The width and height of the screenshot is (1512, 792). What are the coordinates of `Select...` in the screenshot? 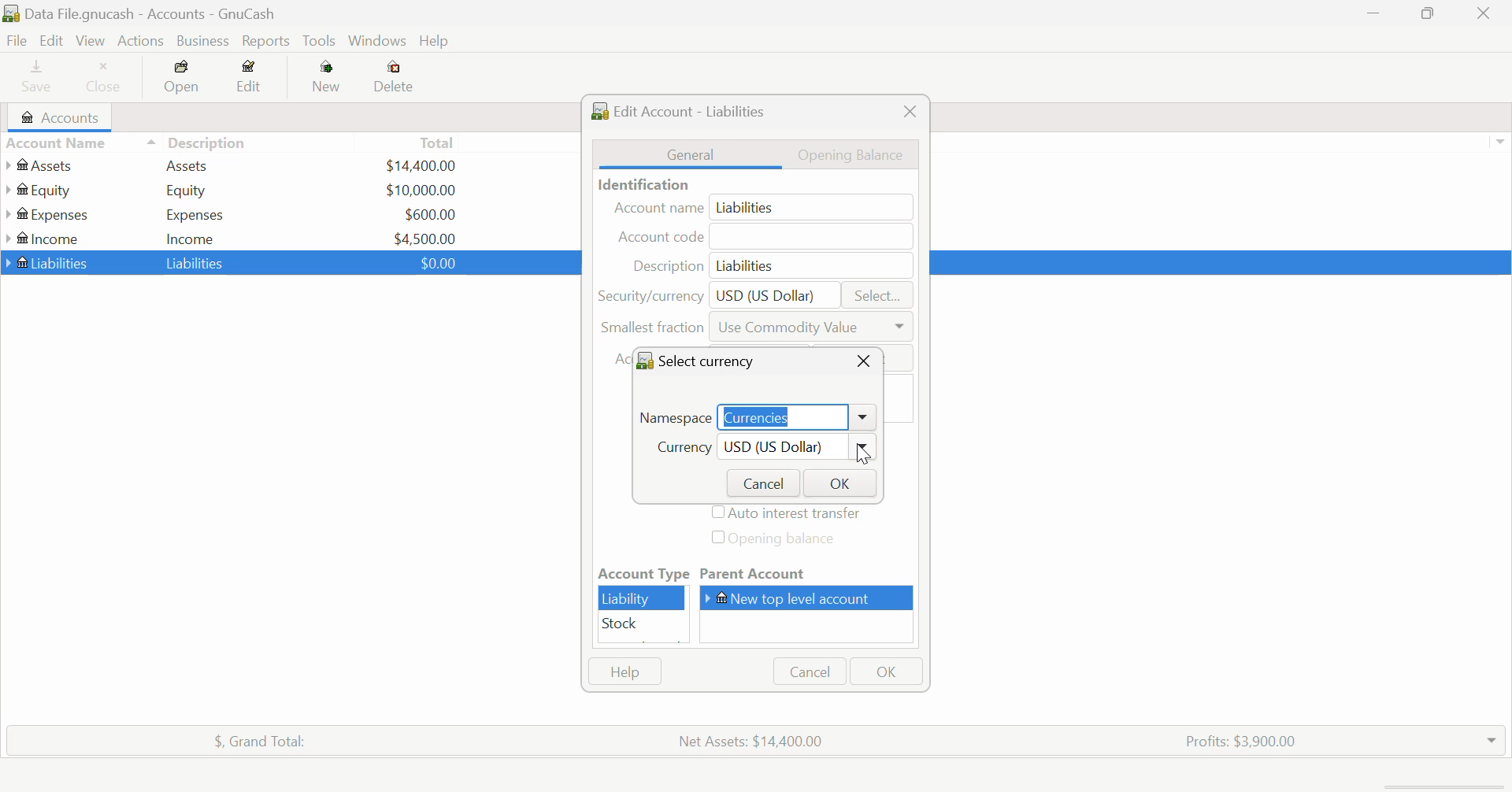 It's located at (877, 296).